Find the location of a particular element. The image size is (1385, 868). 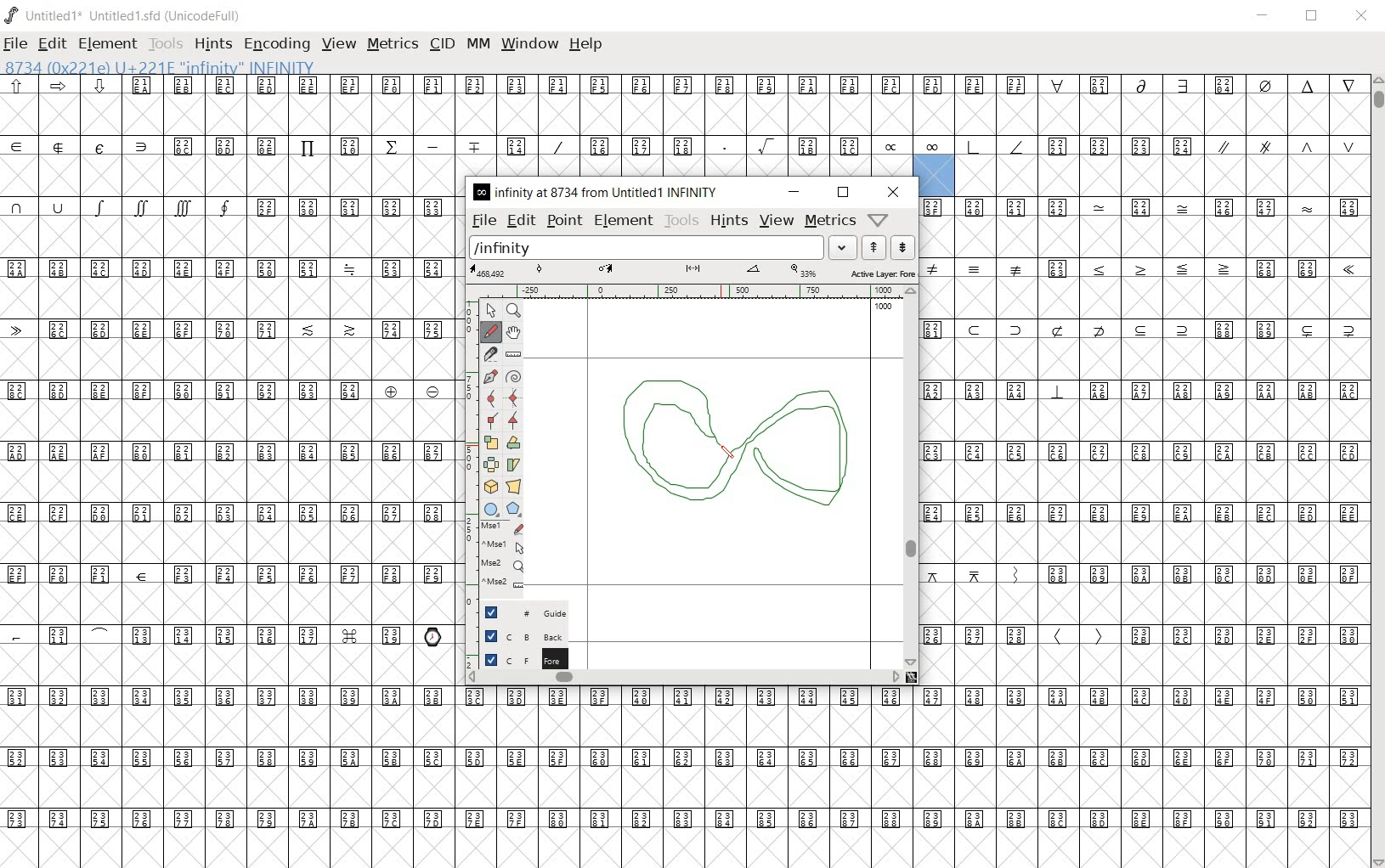

empty glyph slots is located at coordinates (228, 176).